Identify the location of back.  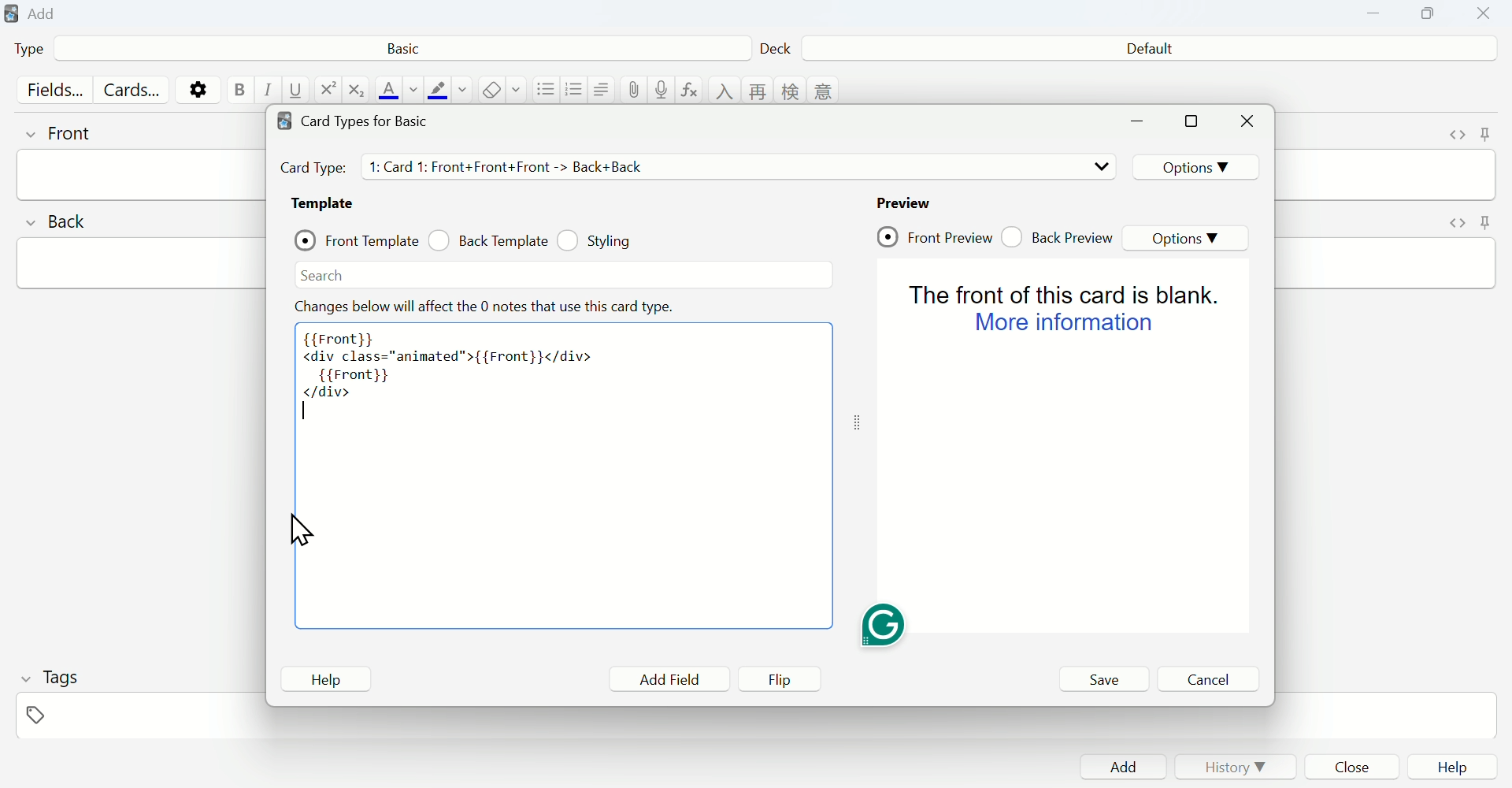
(64, 221).